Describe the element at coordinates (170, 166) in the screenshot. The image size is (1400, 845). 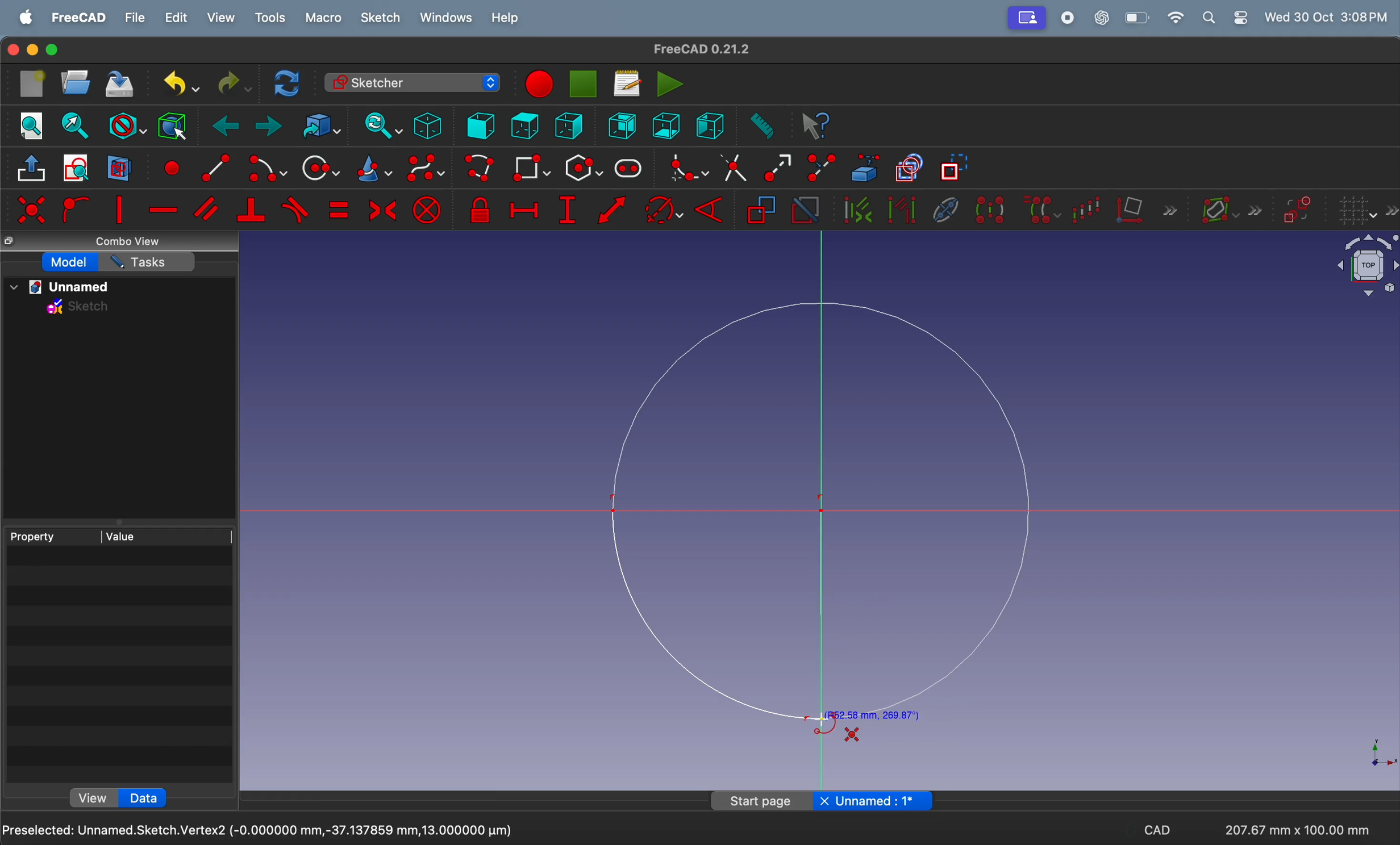
I see `create point` at that location.